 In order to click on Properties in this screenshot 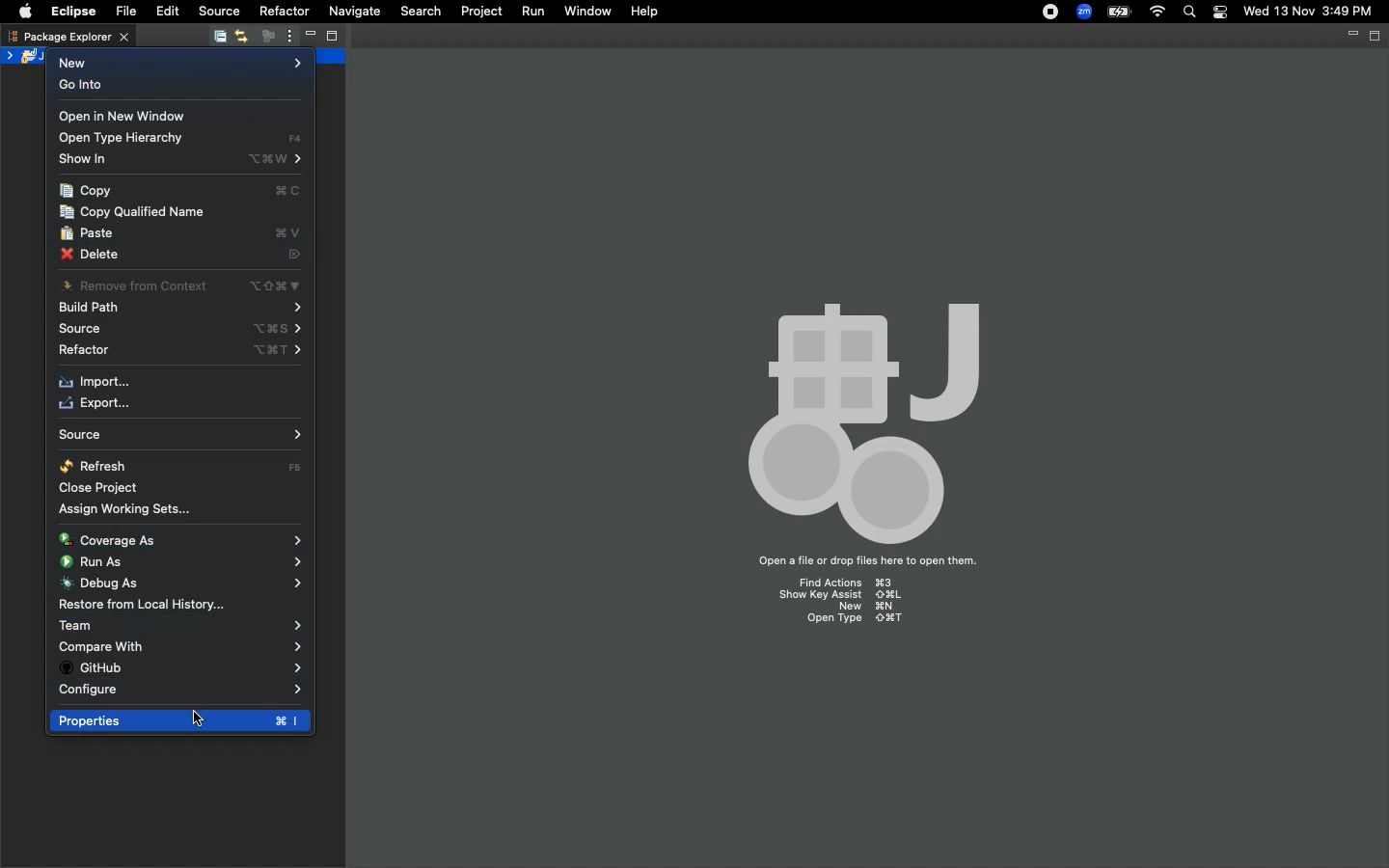, I will do `click(177, 721)`.